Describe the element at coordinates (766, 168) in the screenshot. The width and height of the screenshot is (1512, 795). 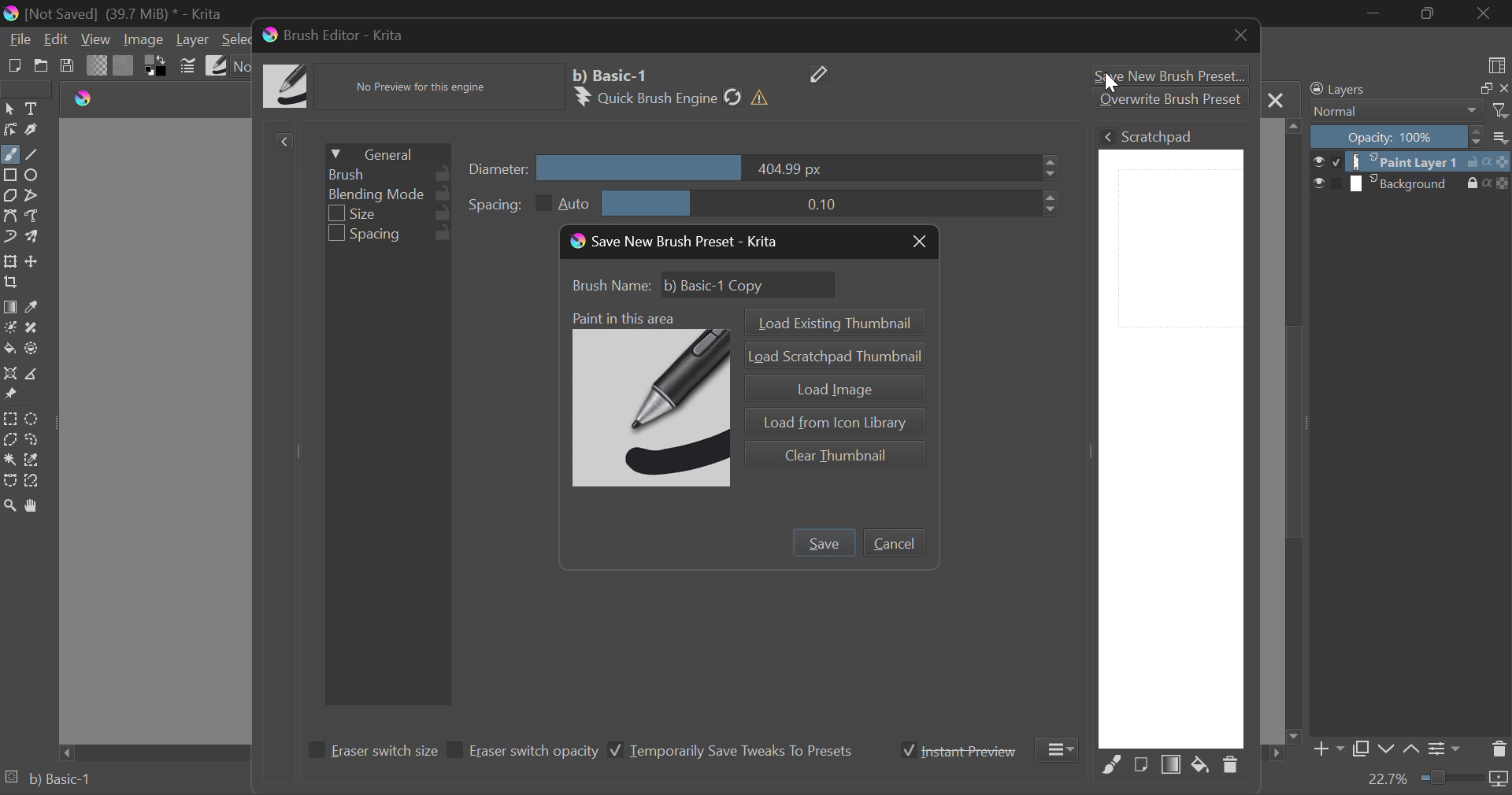
I see `Diameter Slider` at that location.